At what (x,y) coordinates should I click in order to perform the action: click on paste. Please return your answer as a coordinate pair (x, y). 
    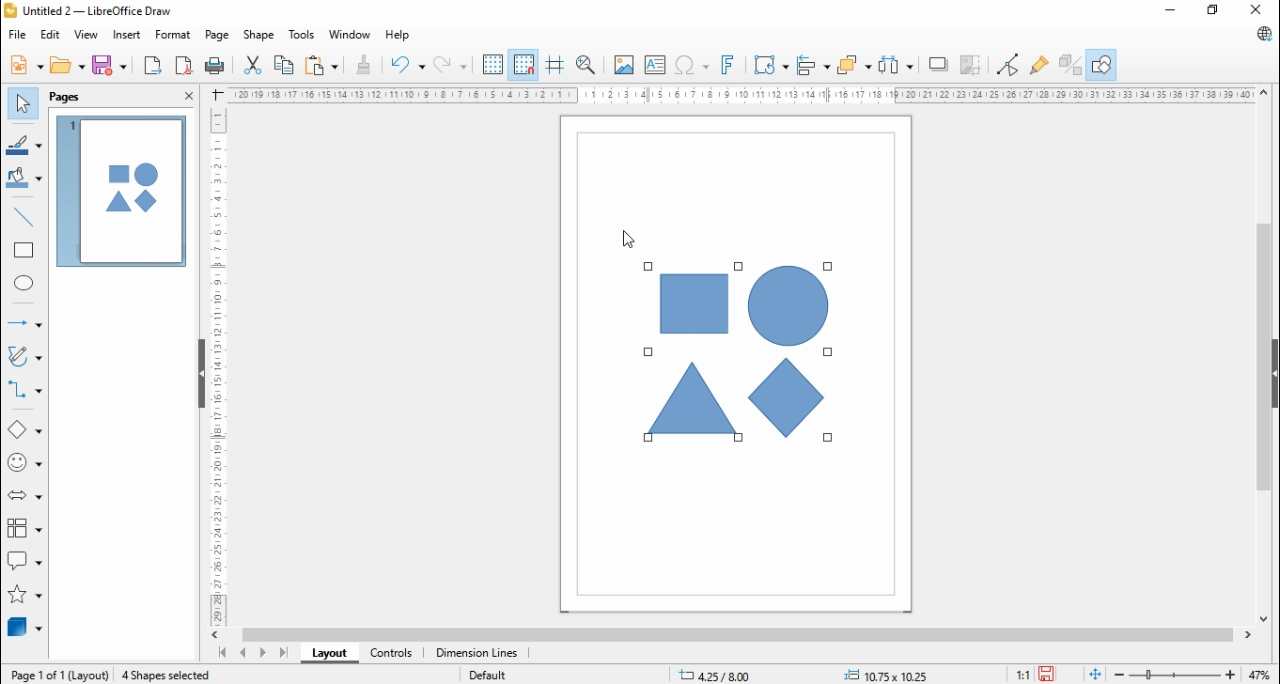
    Looking at the image, I should click on (320, 64).